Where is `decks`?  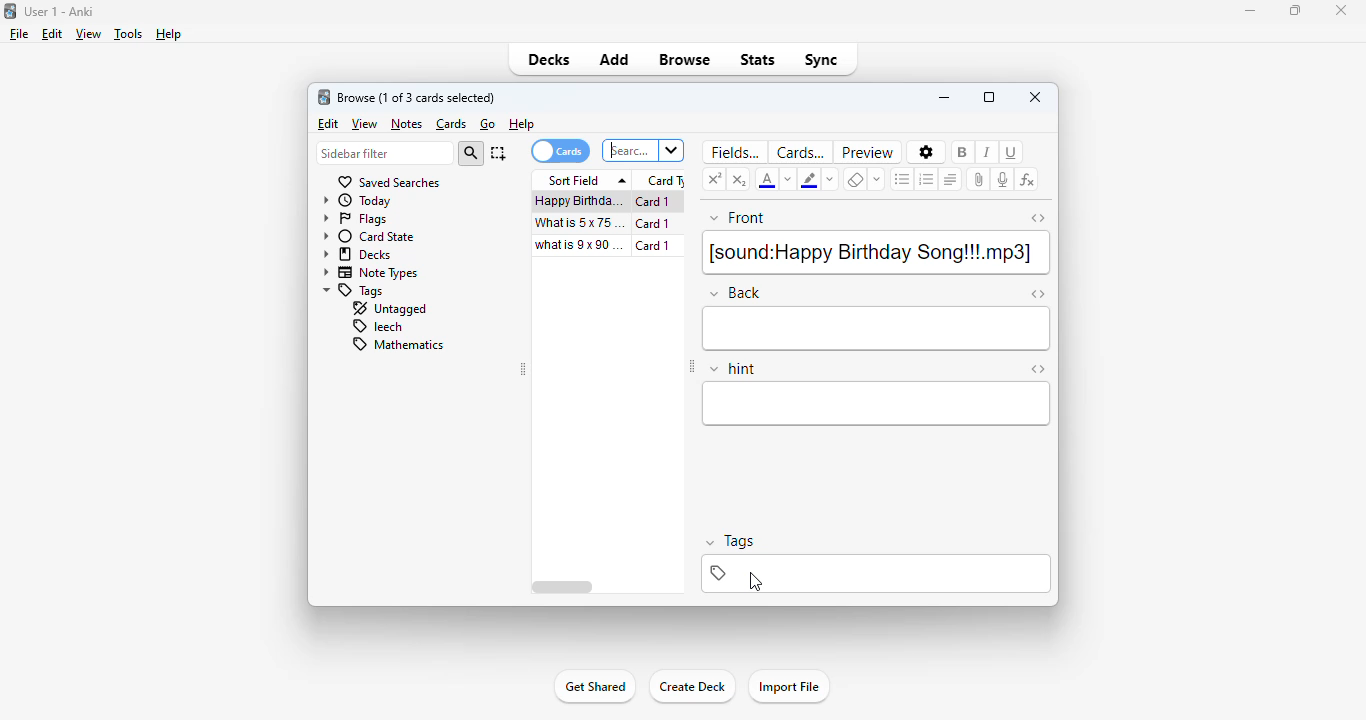
decks is located at coordinates (357, 255).